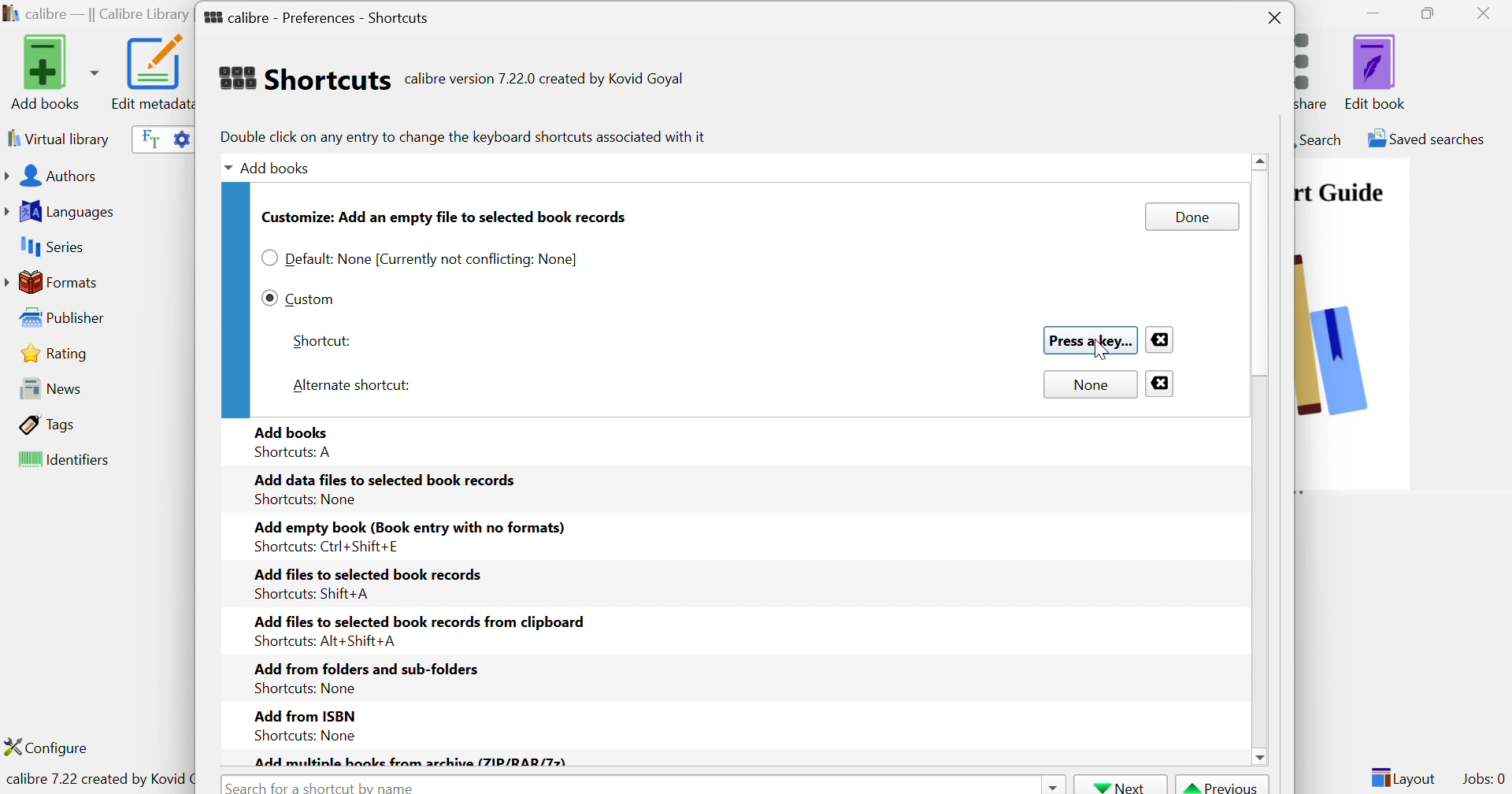  Describe the element at coordinates (57, 138) in the screenshot. I see `Virtual library` at that location.